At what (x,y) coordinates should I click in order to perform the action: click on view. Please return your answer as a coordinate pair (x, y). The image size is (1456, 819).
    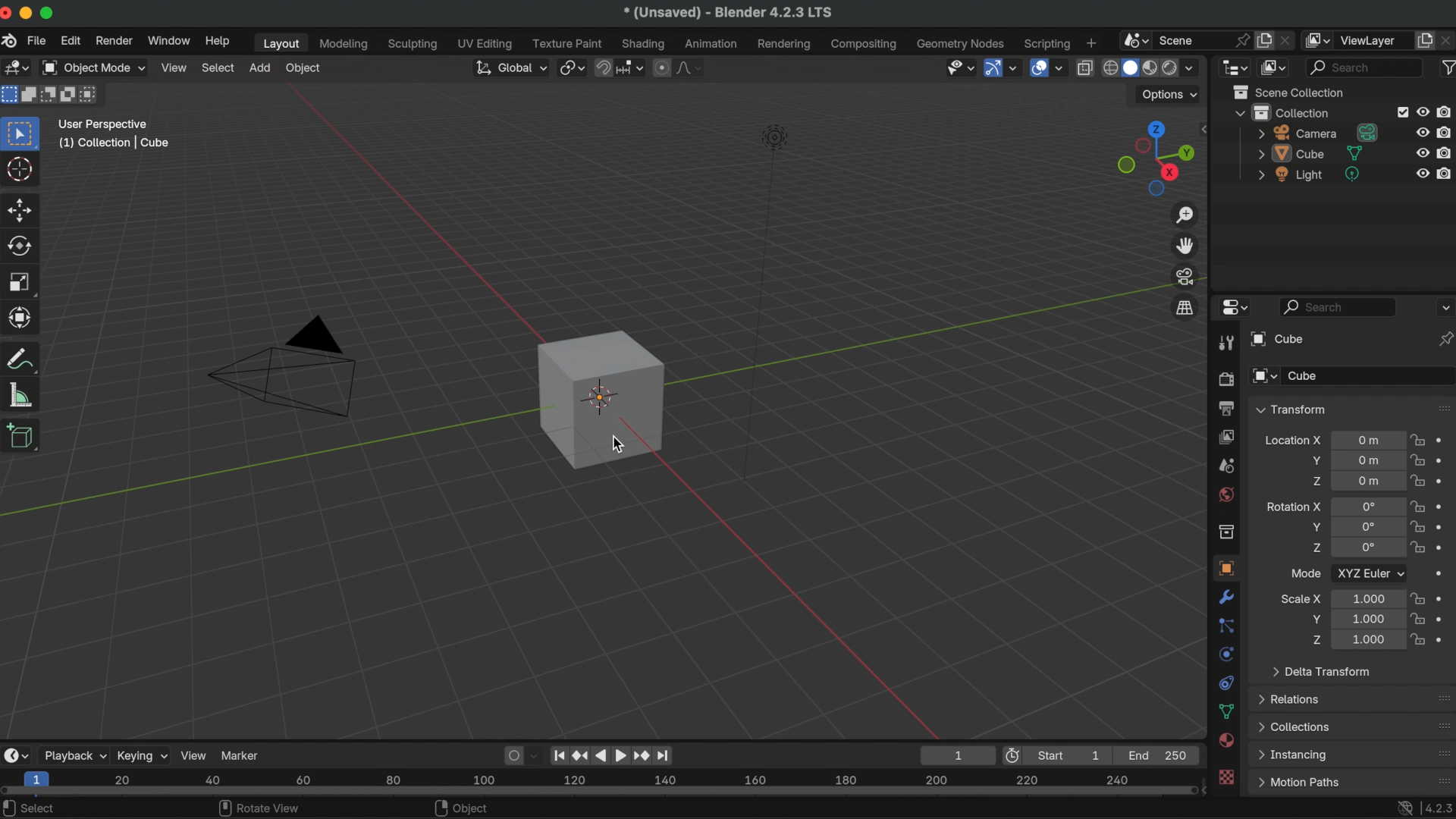
    Looking at the image, I should click on (174, 67).